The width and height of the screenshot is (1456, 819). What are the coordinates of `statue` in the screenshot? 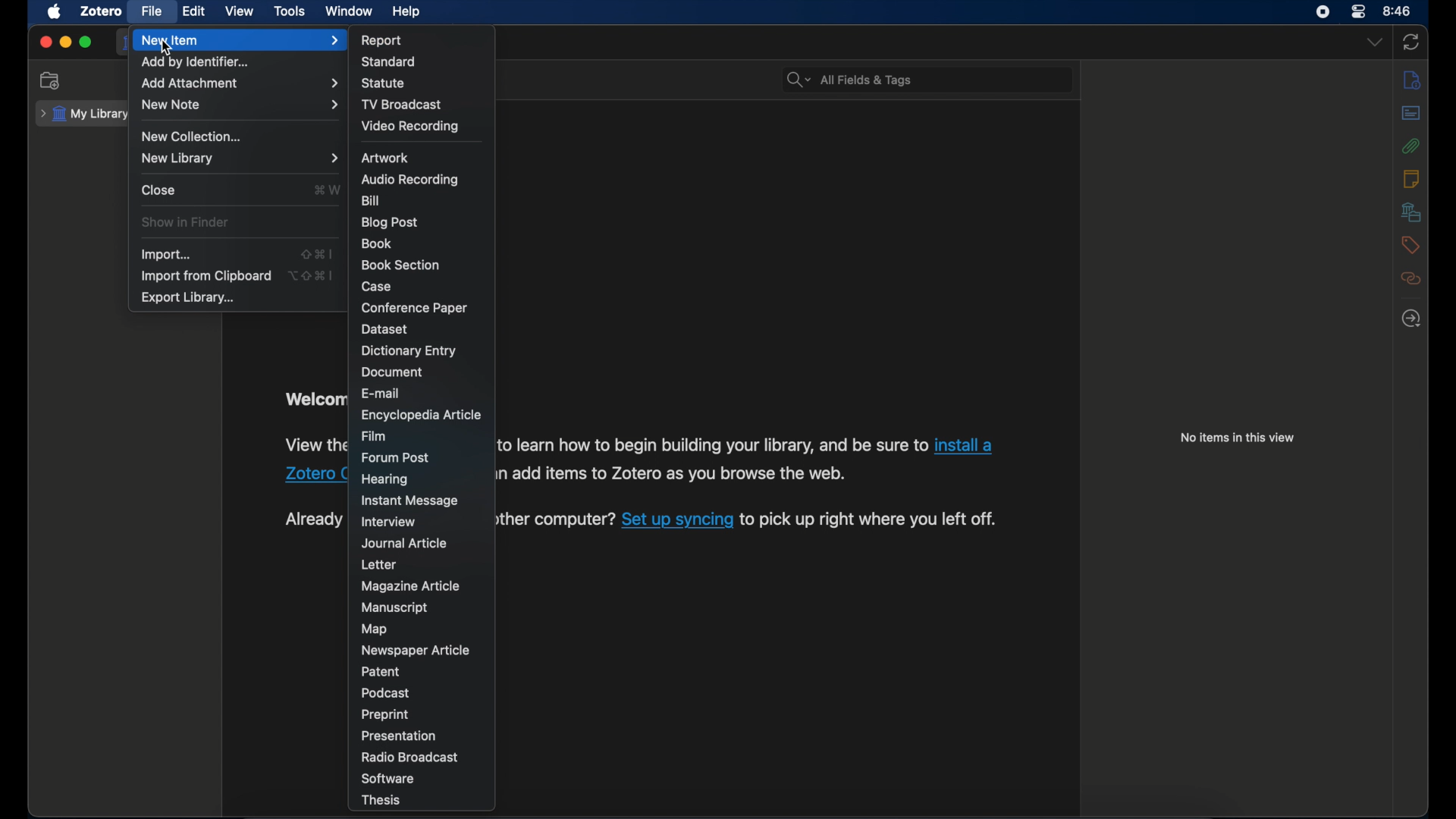 It's located at (383, 83).